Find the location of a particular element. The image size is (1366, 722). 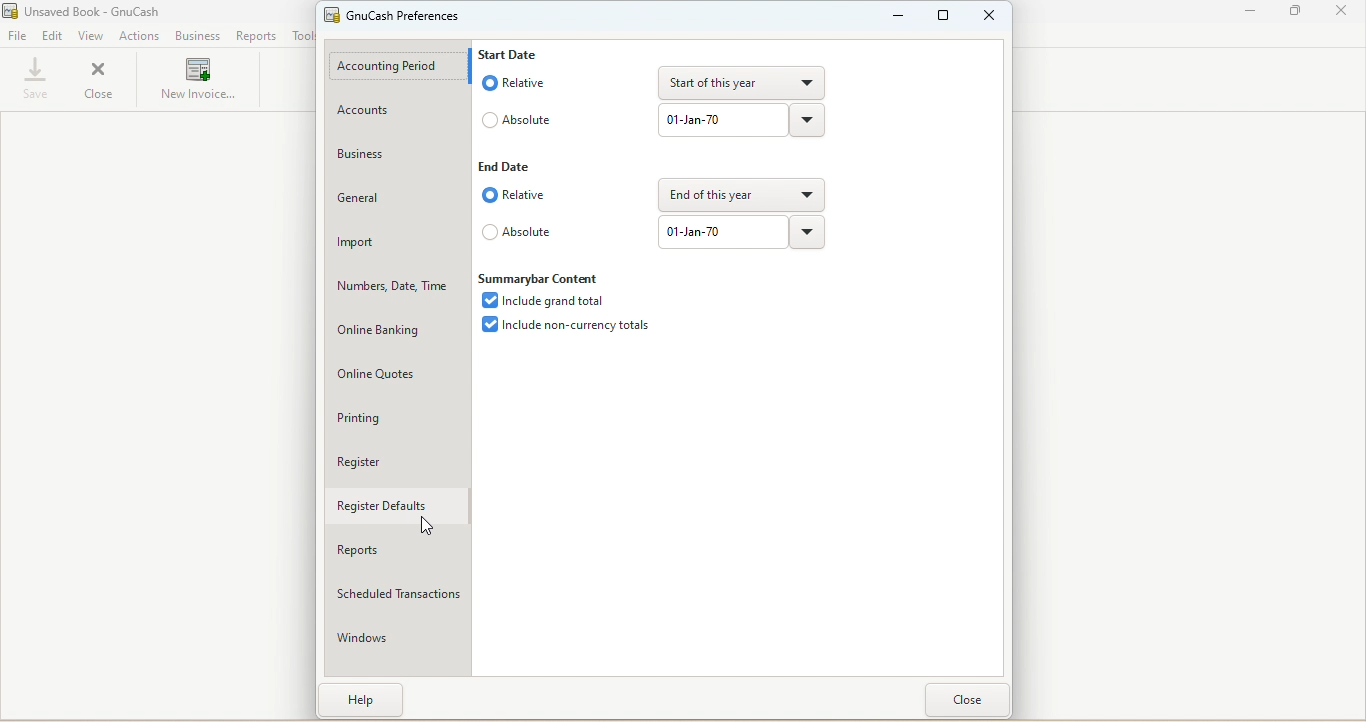

Minimize is located at coordinates (1253, 12).